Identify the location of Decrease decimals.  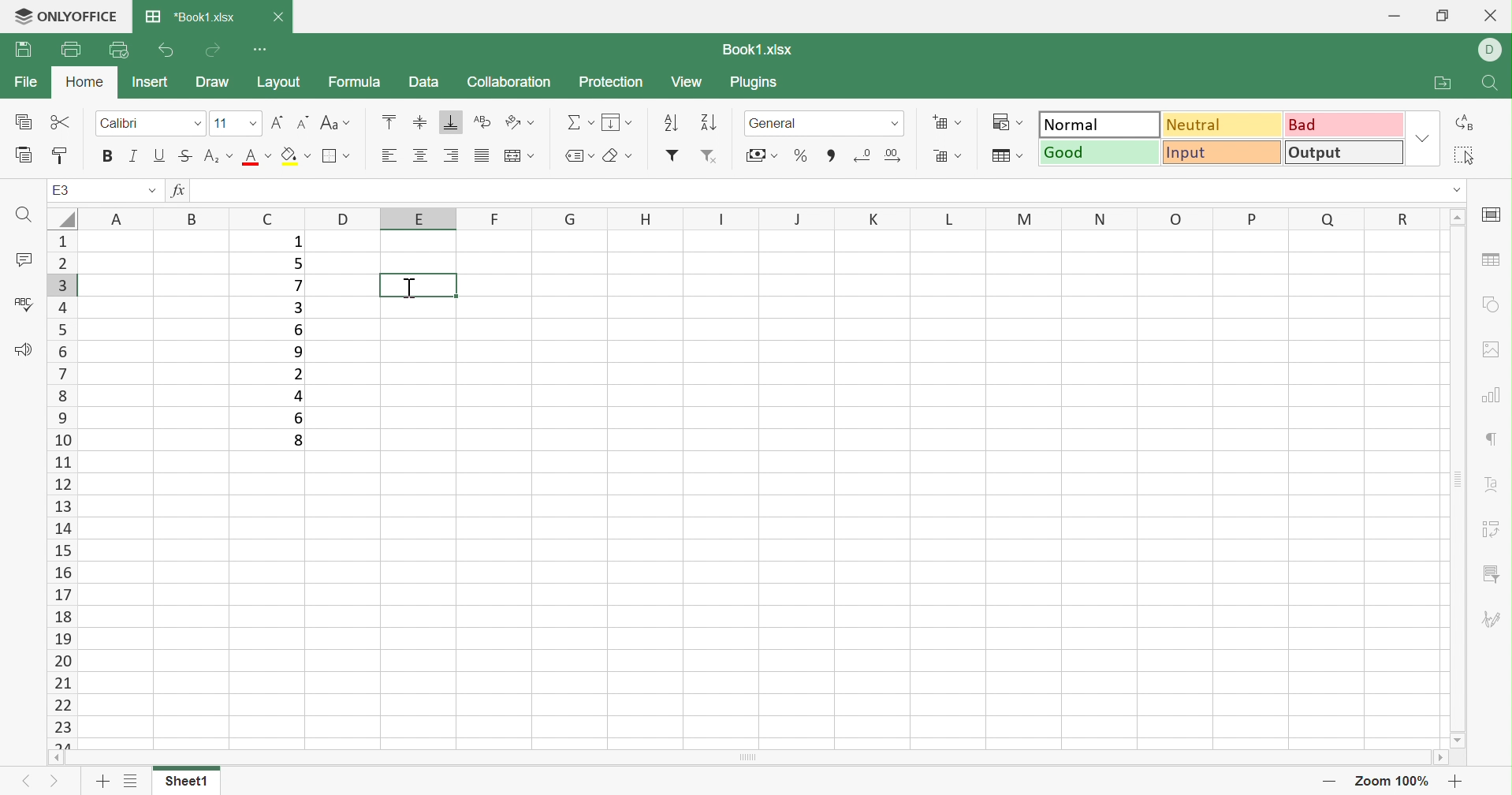
(864, 154).